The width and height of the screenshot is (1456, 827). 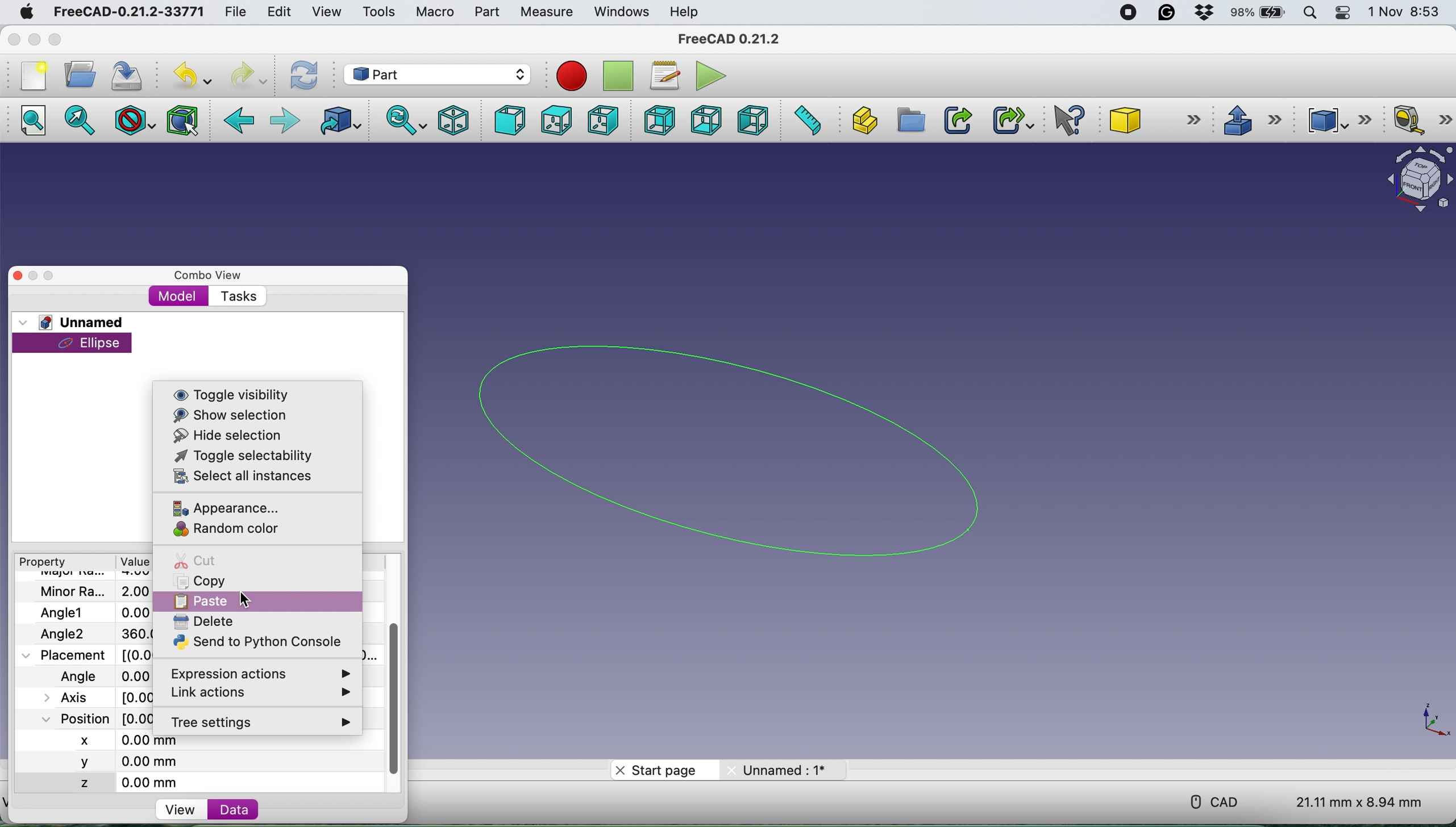 I want to click on date and time, so click(x=1405, y=12).